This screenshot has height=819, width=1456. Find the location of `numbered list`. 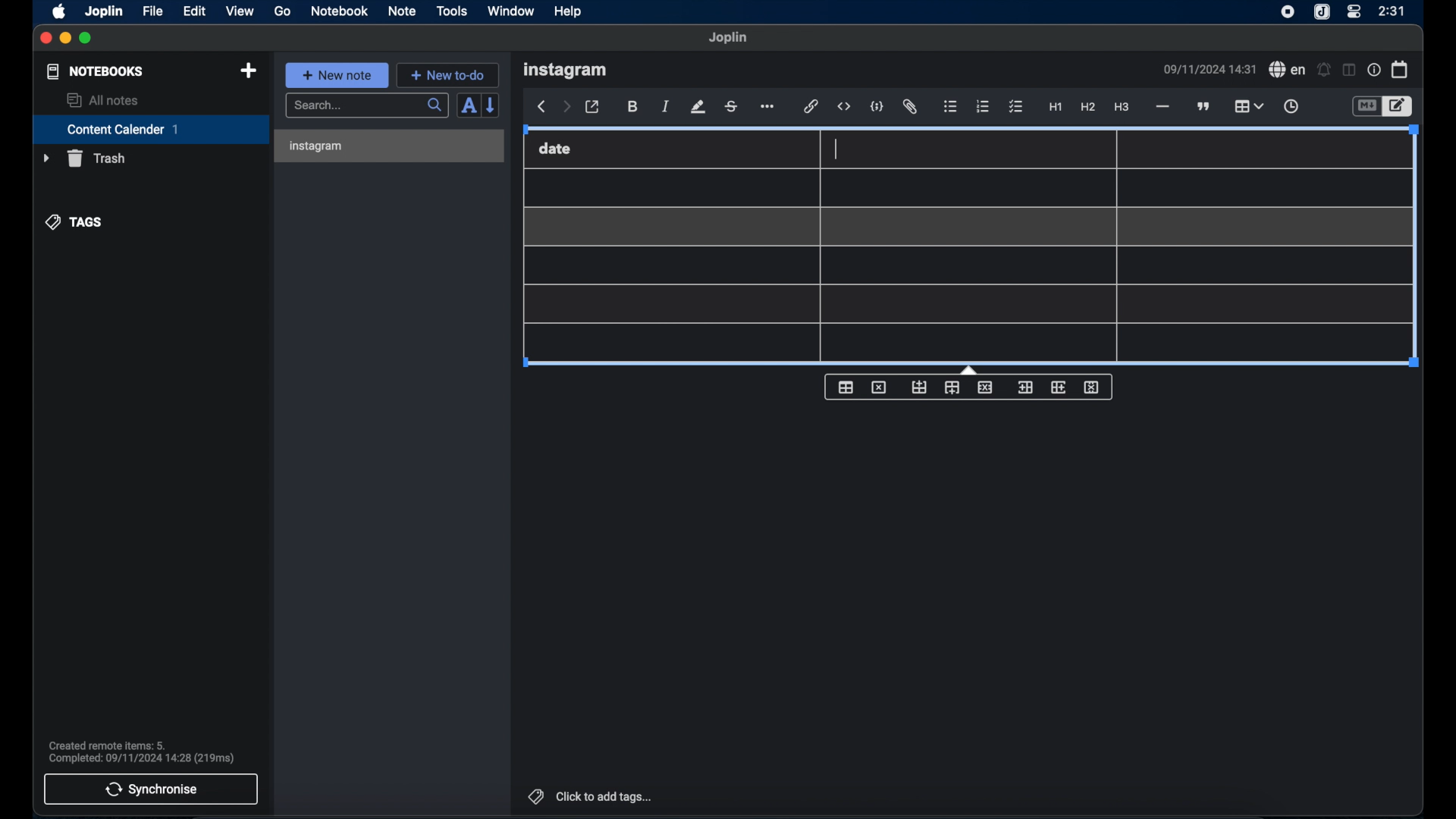

numbered list is located at coordinates (984, 107).